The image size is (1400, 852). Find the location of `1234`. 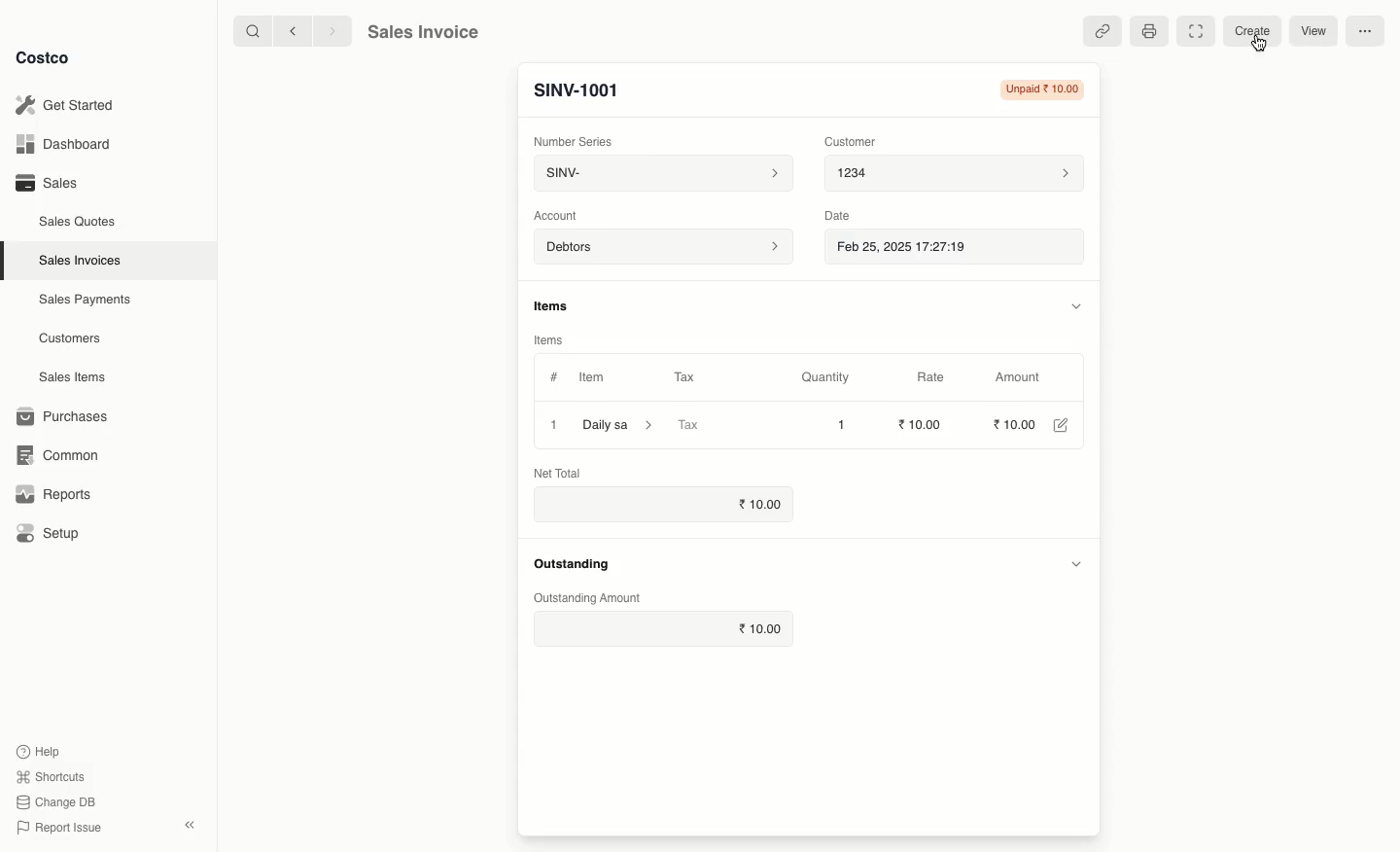

1234 is located at coordinates (956, 176).